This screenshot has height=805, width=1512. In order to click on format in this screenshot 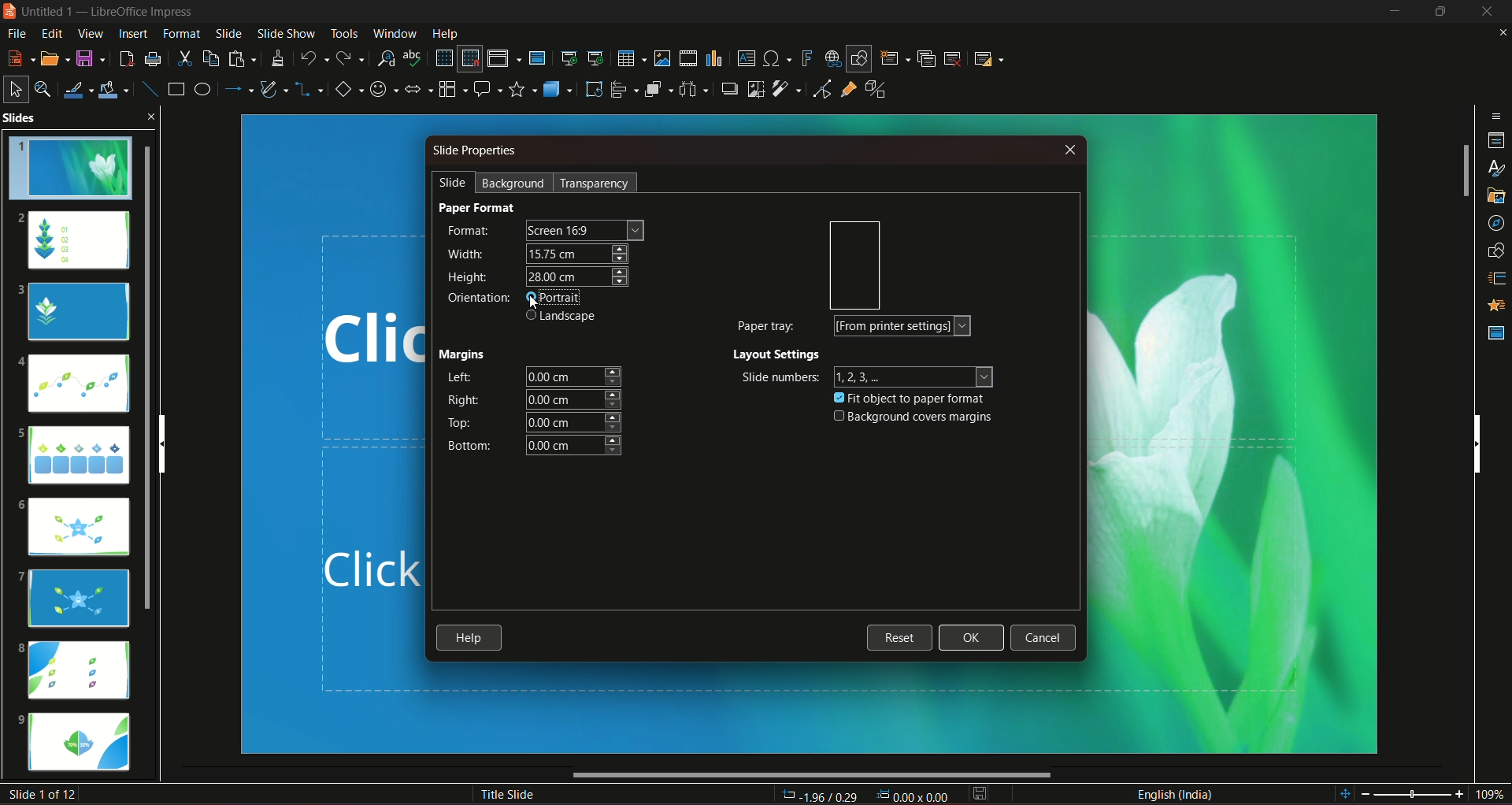, I will do `click(181, 33)`.